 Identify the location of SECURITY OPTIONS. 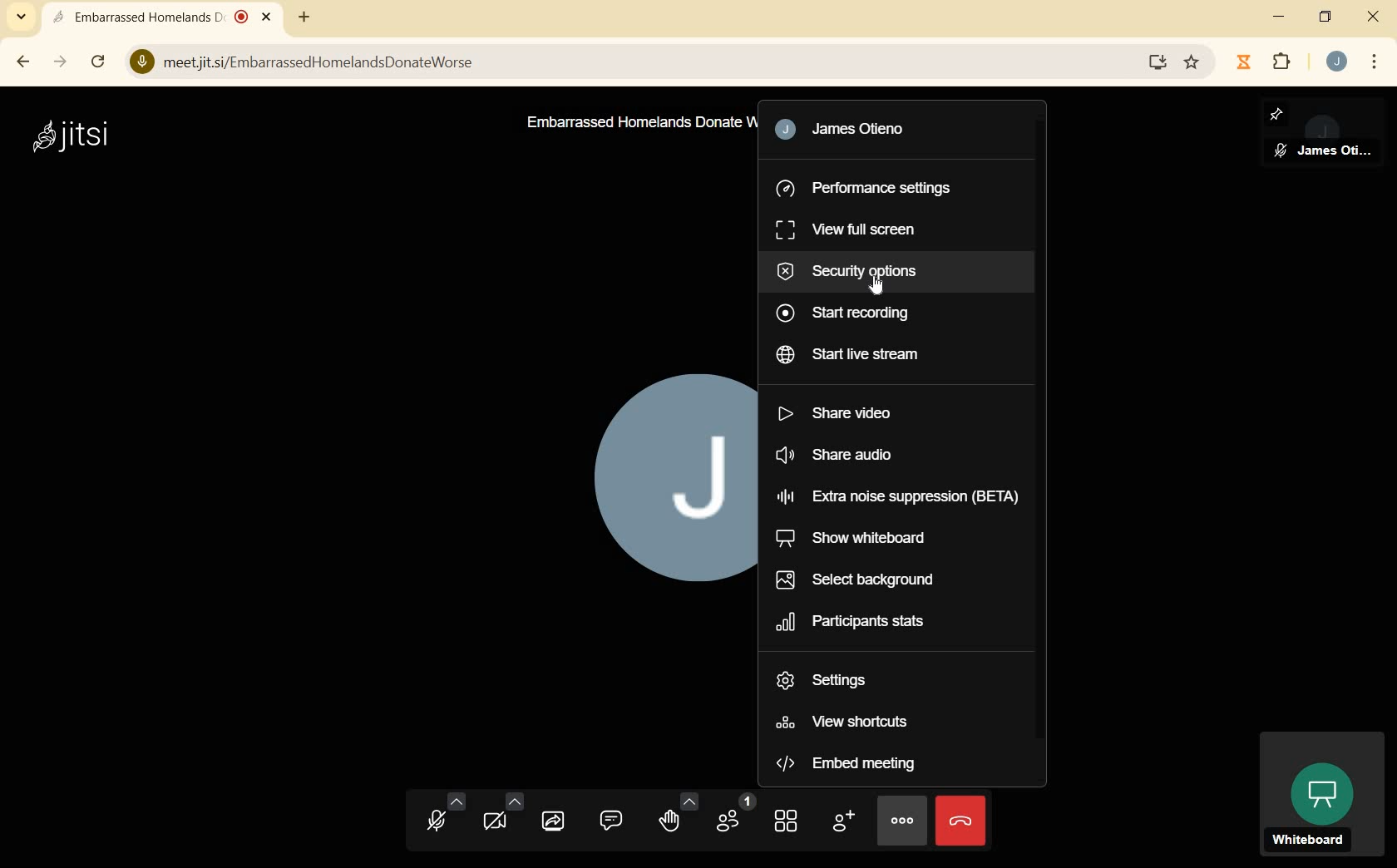
(859, 272).